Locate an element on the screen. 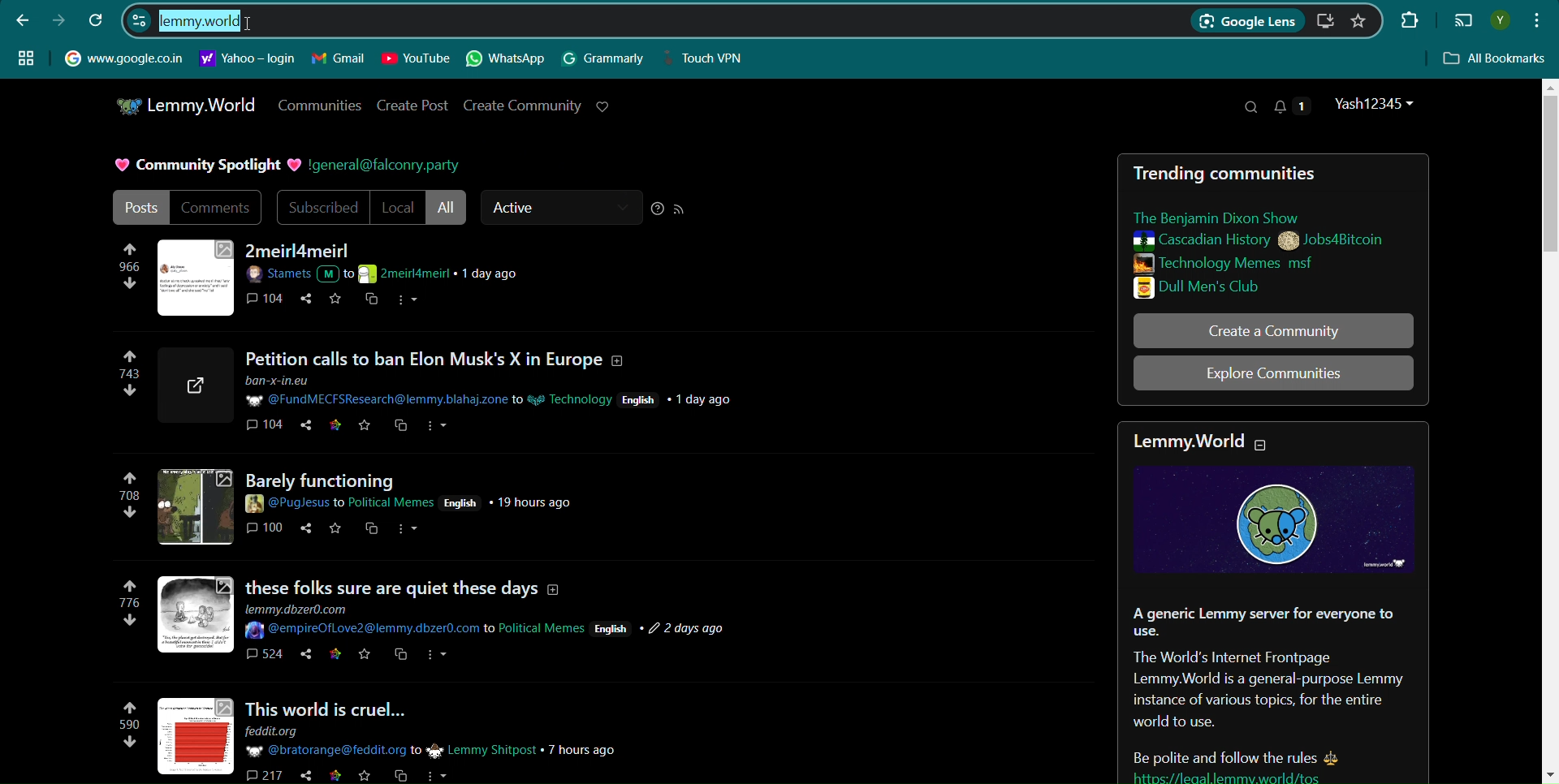  Dull Mens Club is located at coordinates (1250, 287).